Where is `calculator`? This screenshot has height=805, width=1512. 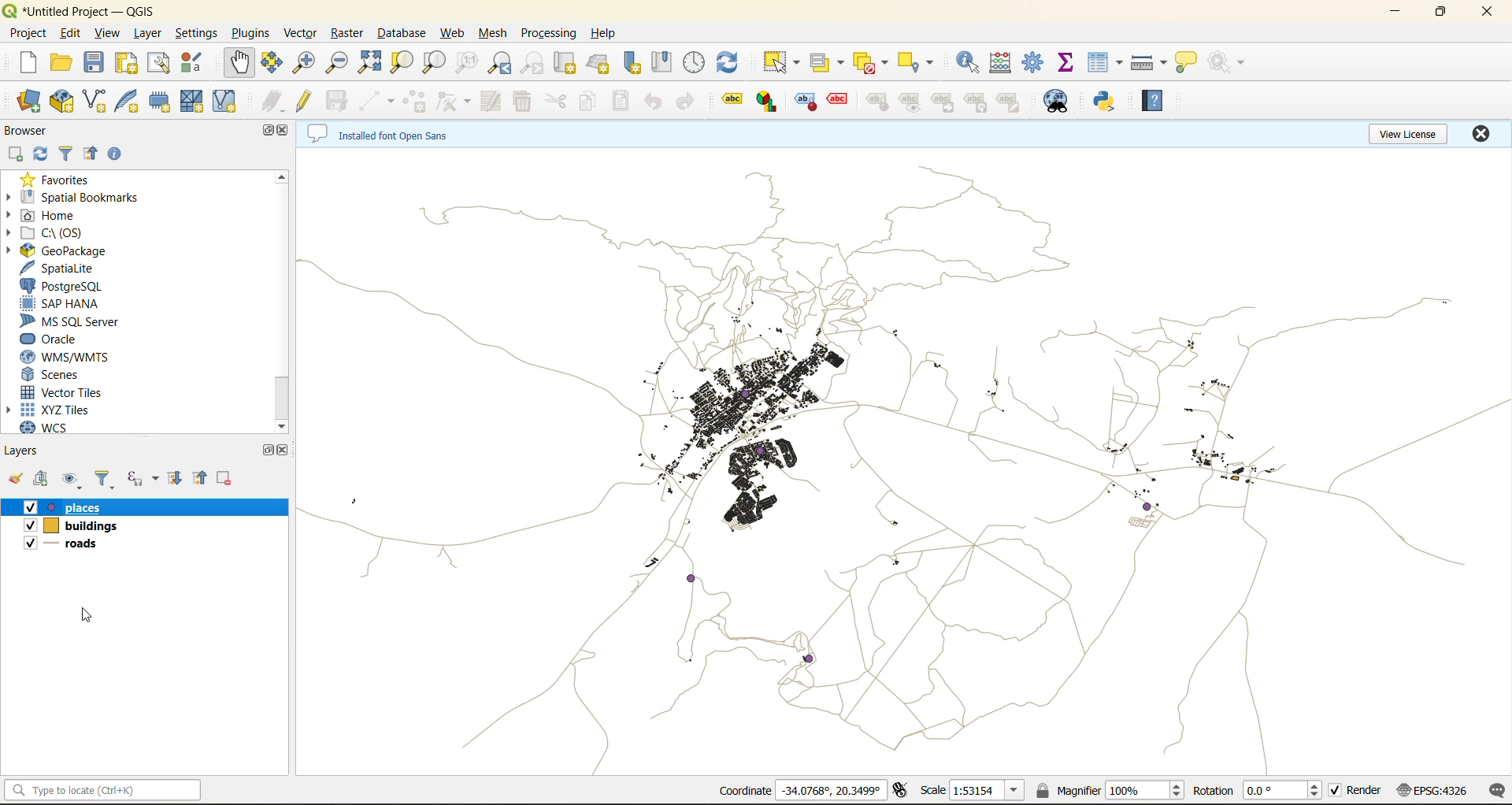 calculator is located at coordinates (1006, 65).